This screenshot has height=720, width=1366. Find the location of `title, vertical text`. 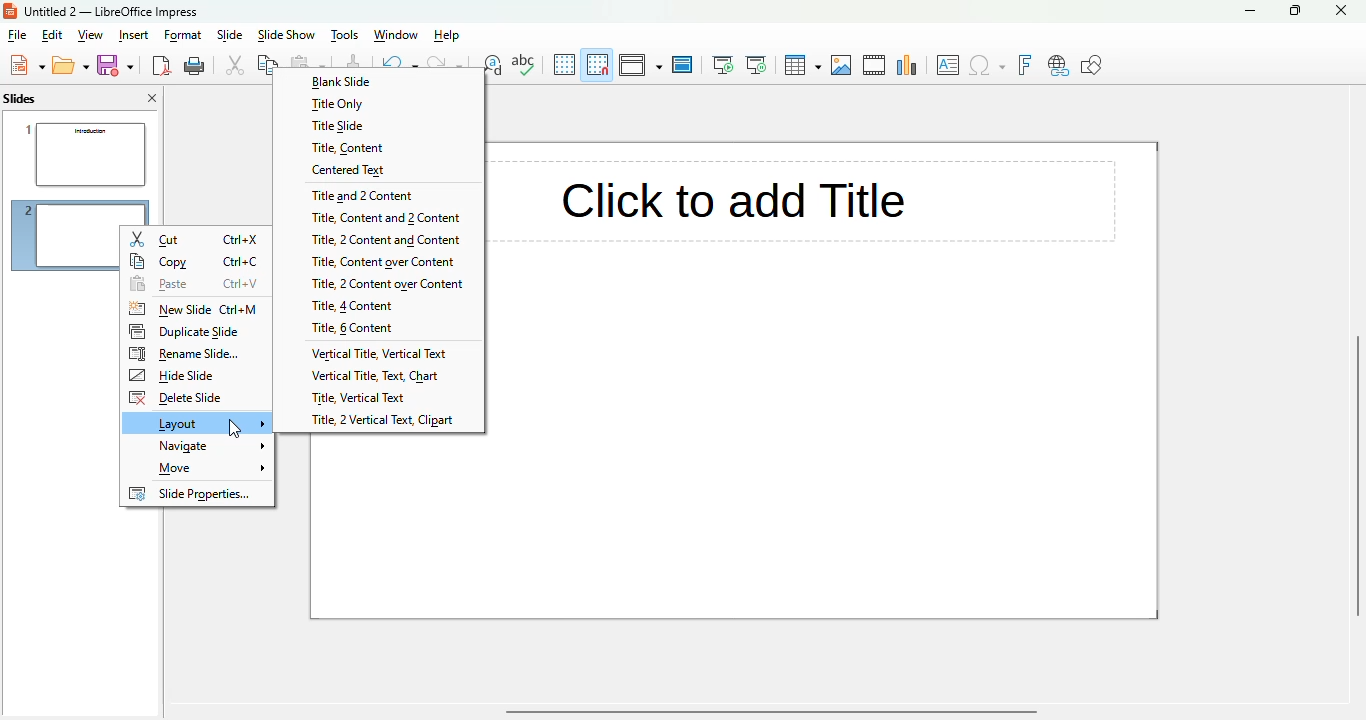

title, vertical text is located at coordinates (377, 398).